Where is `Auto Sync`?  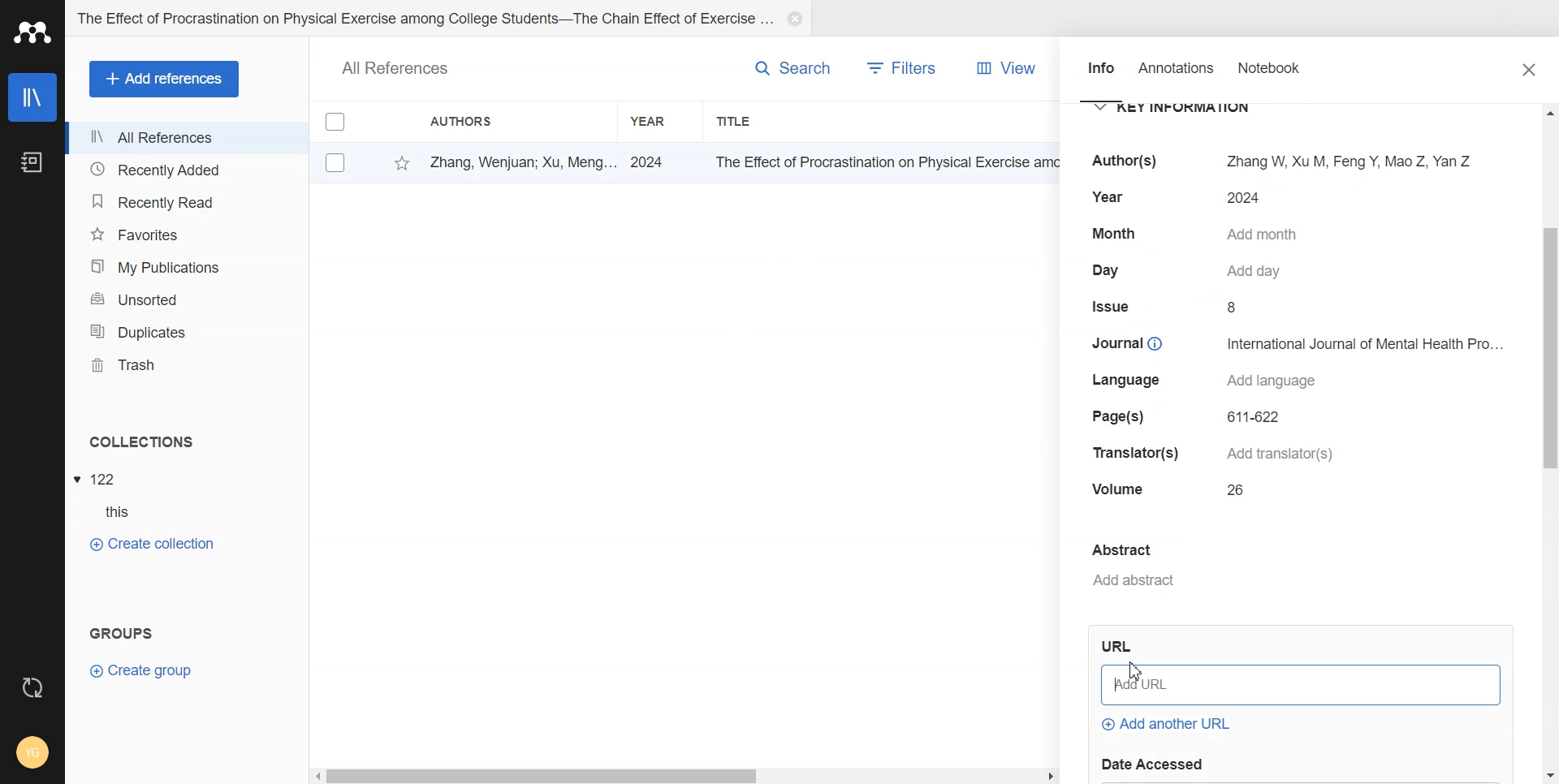 Auto Sync is located at coordinates (32, 683).